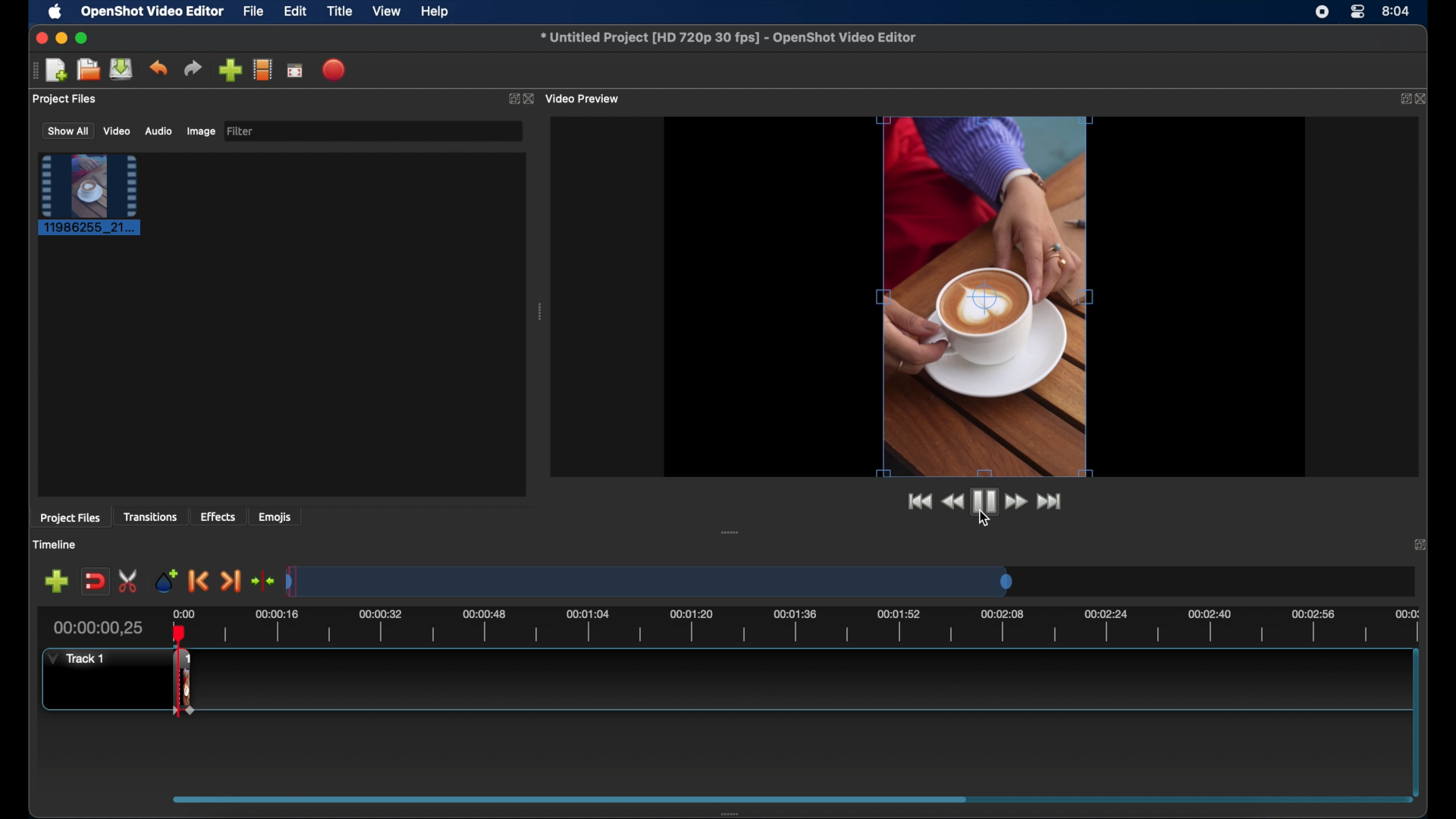 This screenshot has width=1456, height=819. Describe the element at coordinates (218, 516) in the screenshot. I see `effects` at that location.